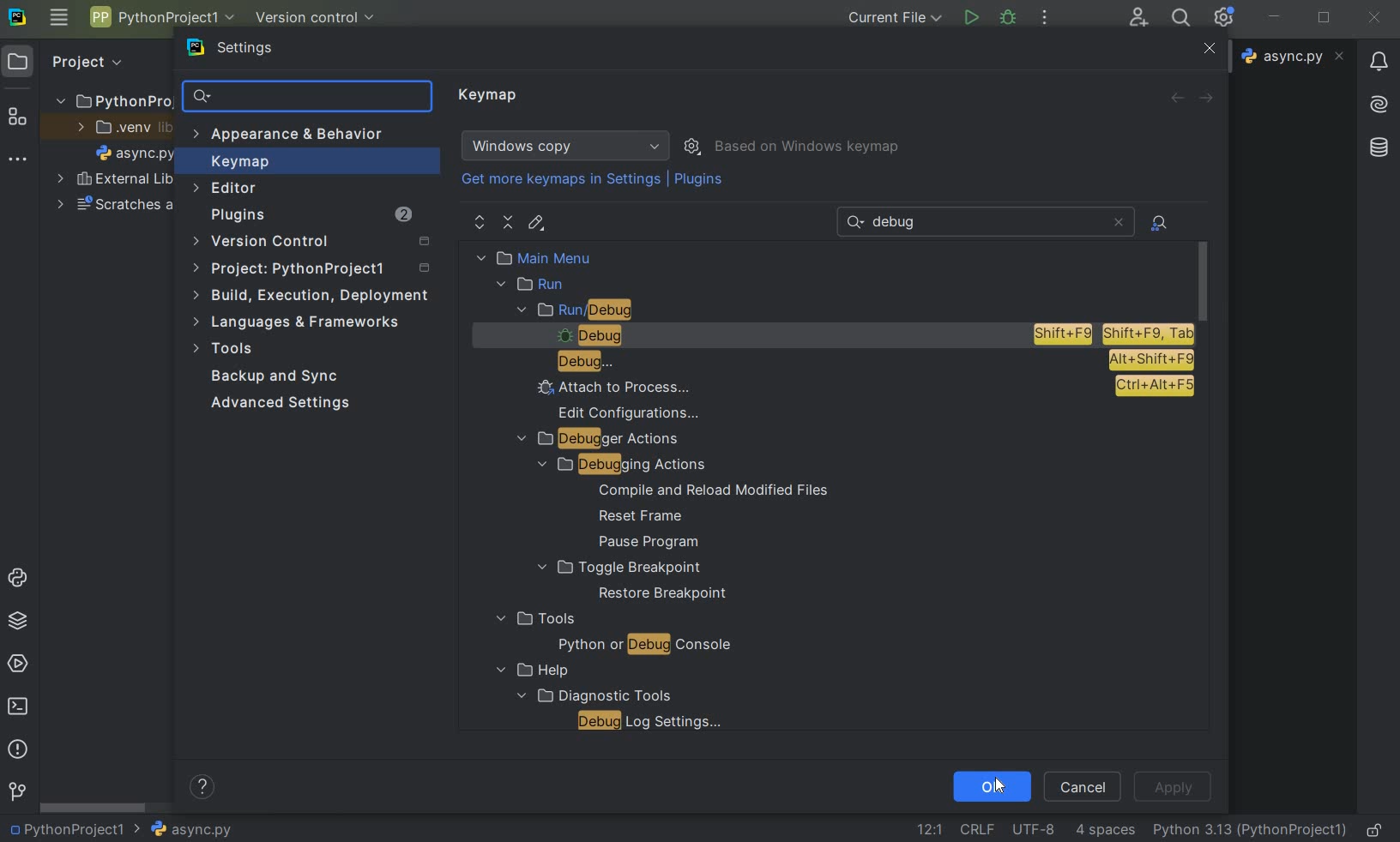 The image size is (1400, 842). Describe the element at coordinates (619, 568) in the screenshot. I see `toggle breakpoint` at that location.